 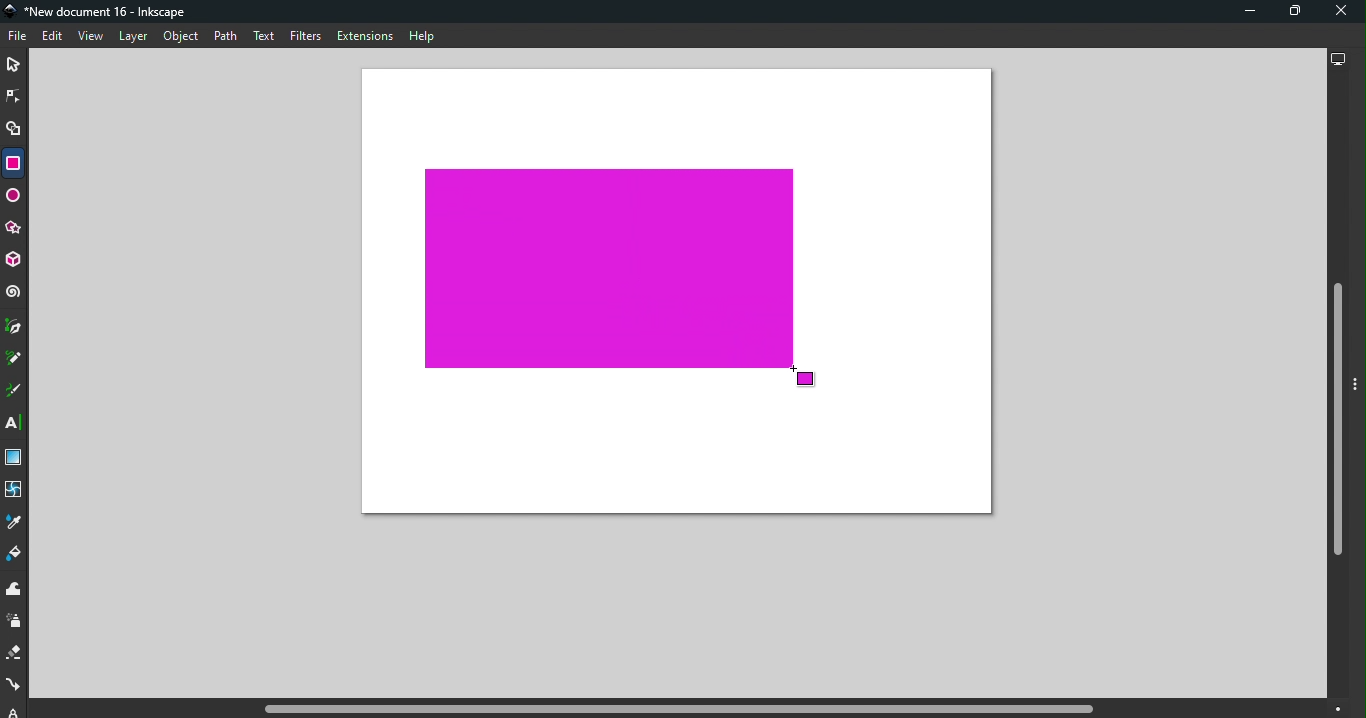 What do you see at coordinates (16, 423) in the screenshot?
I see `Text tool` at bounding box center [16, 423].